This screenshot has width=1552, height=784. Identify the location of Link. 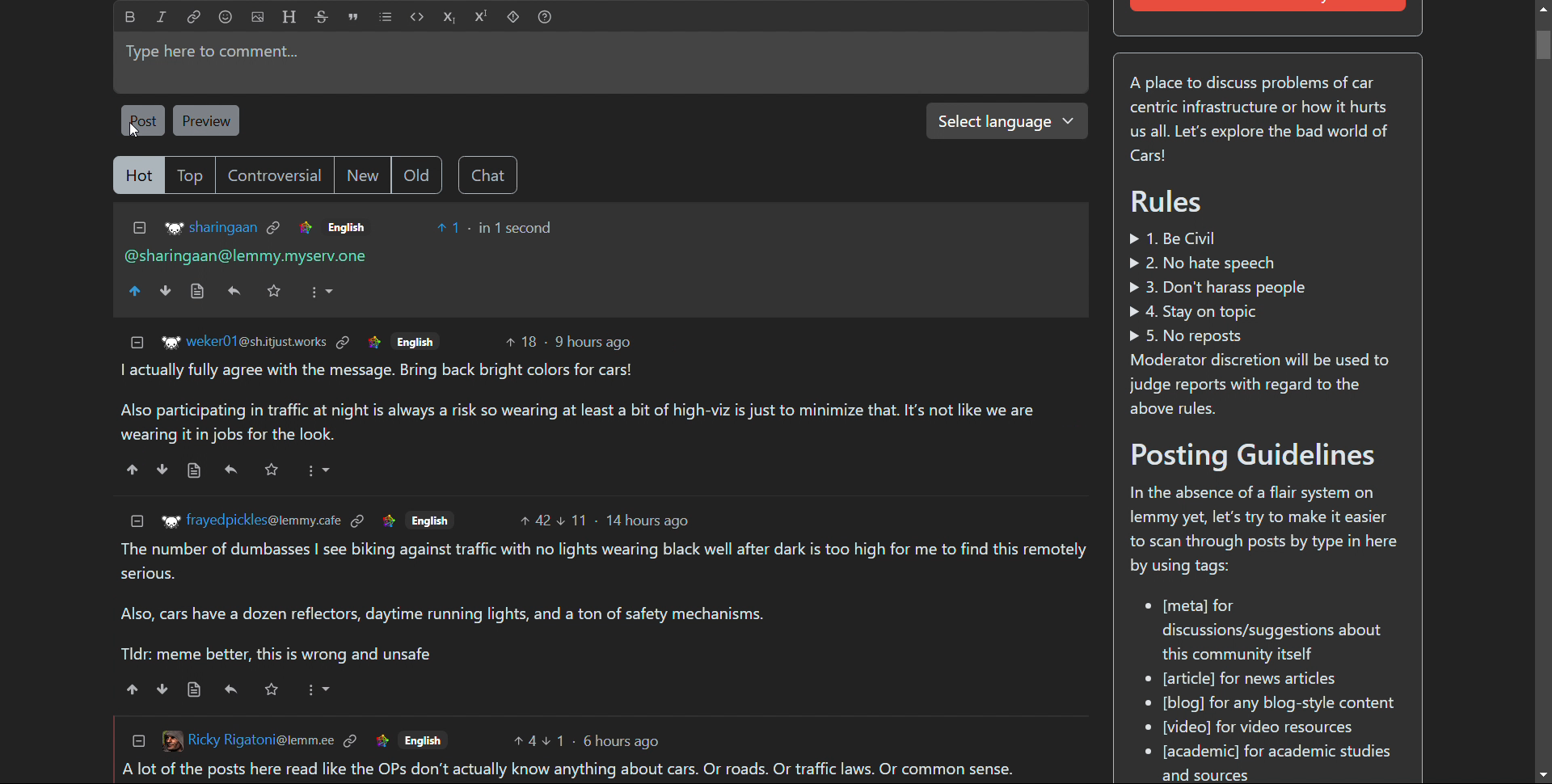
(382, 740).